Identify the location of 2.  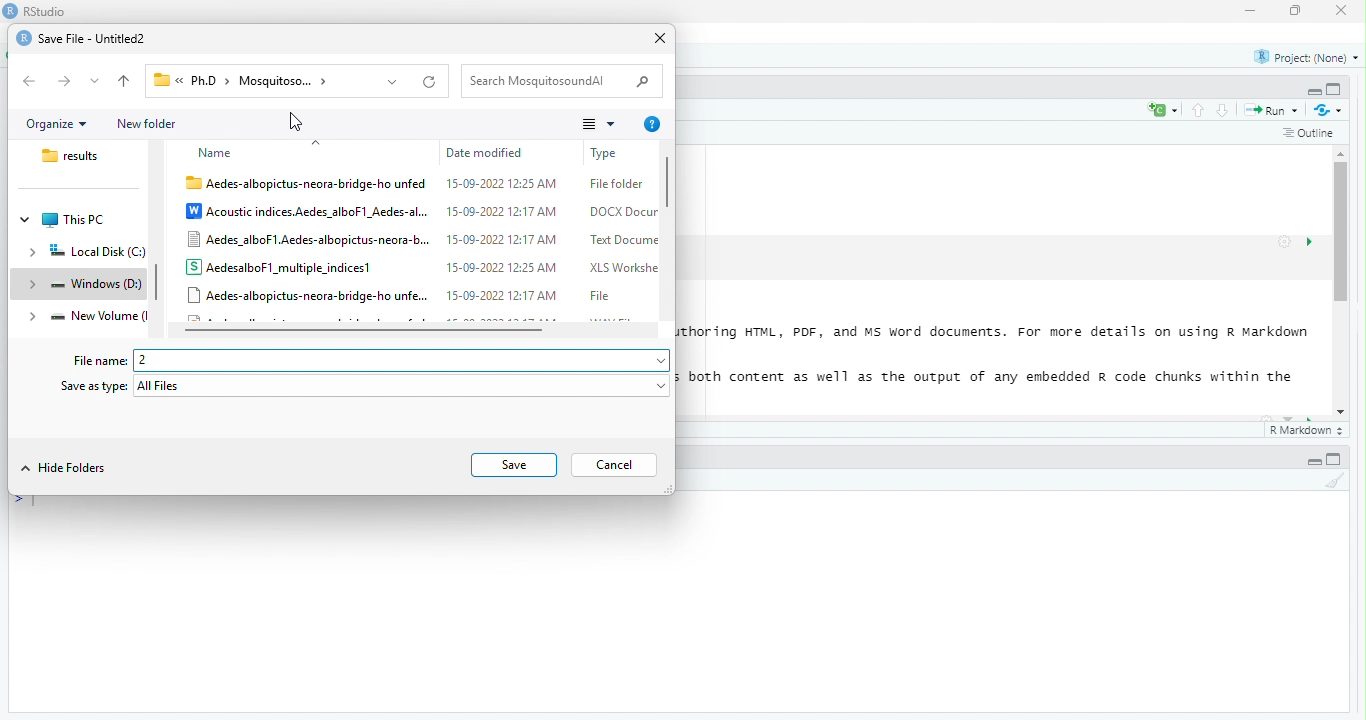
(392, 361).